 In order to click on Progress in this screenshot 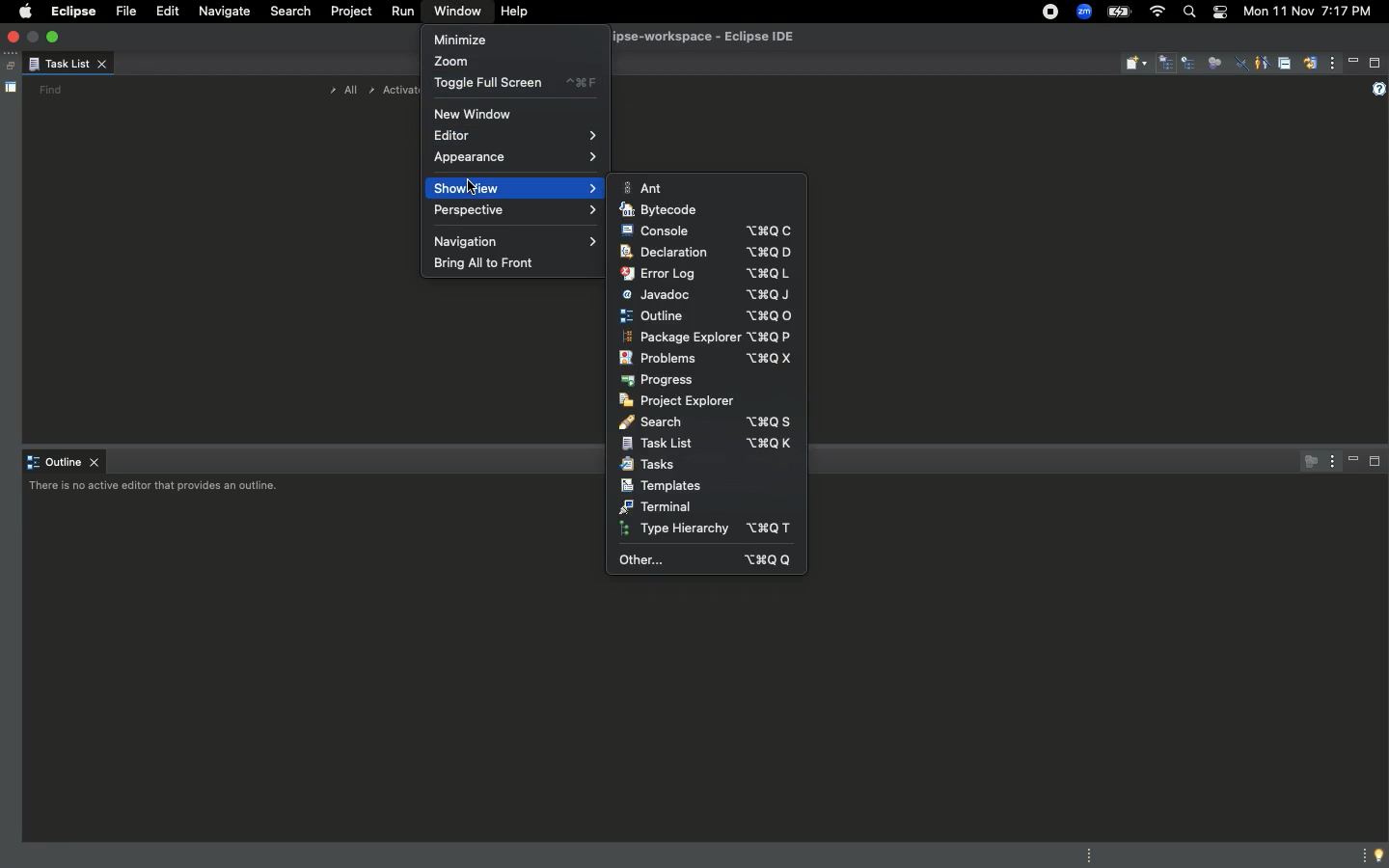, I will do `click(662, 379)`.